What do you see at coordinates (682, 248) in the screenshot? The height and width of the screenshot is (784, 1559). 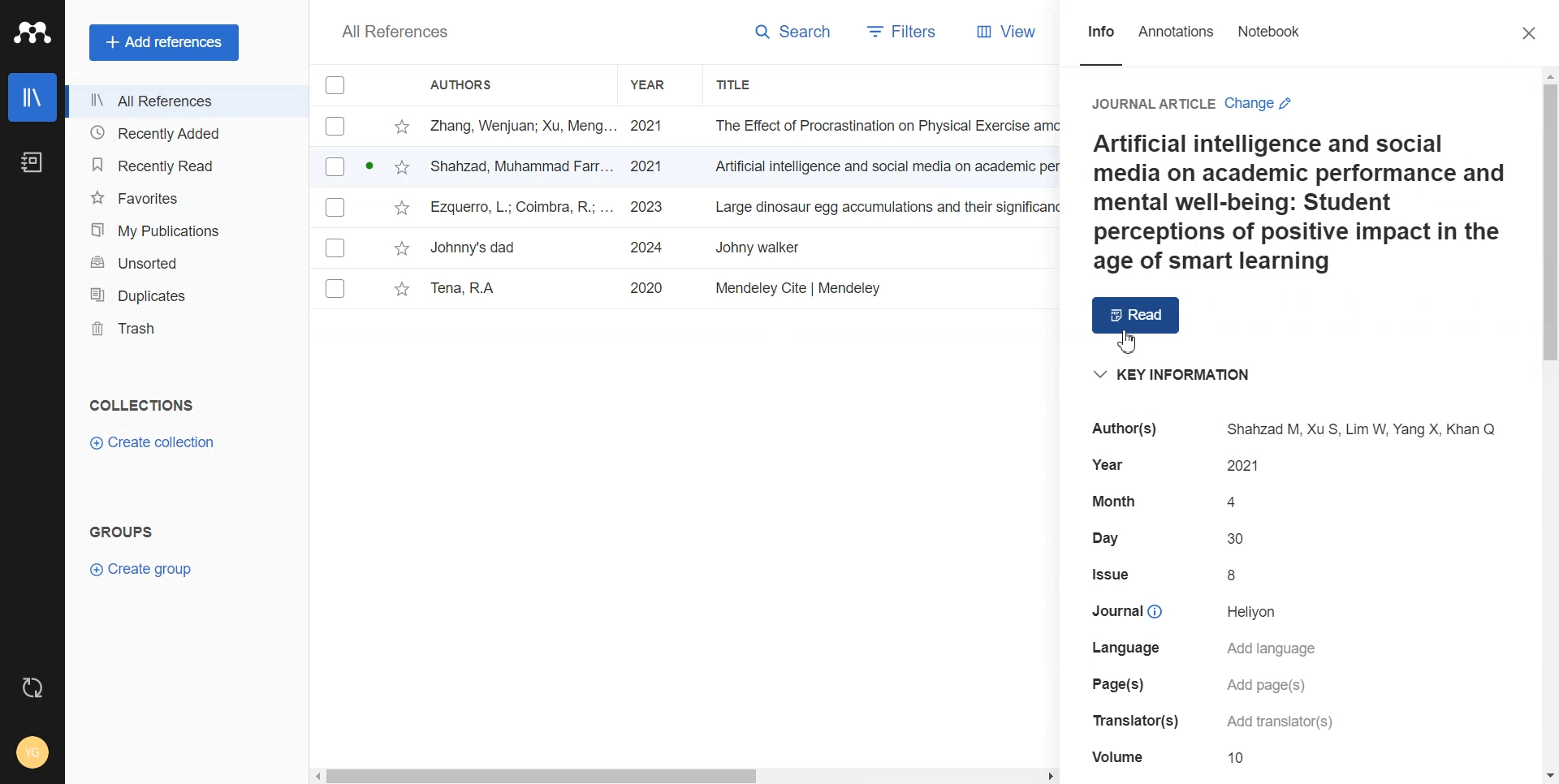 I see `File` at bounding box center [682, 248].